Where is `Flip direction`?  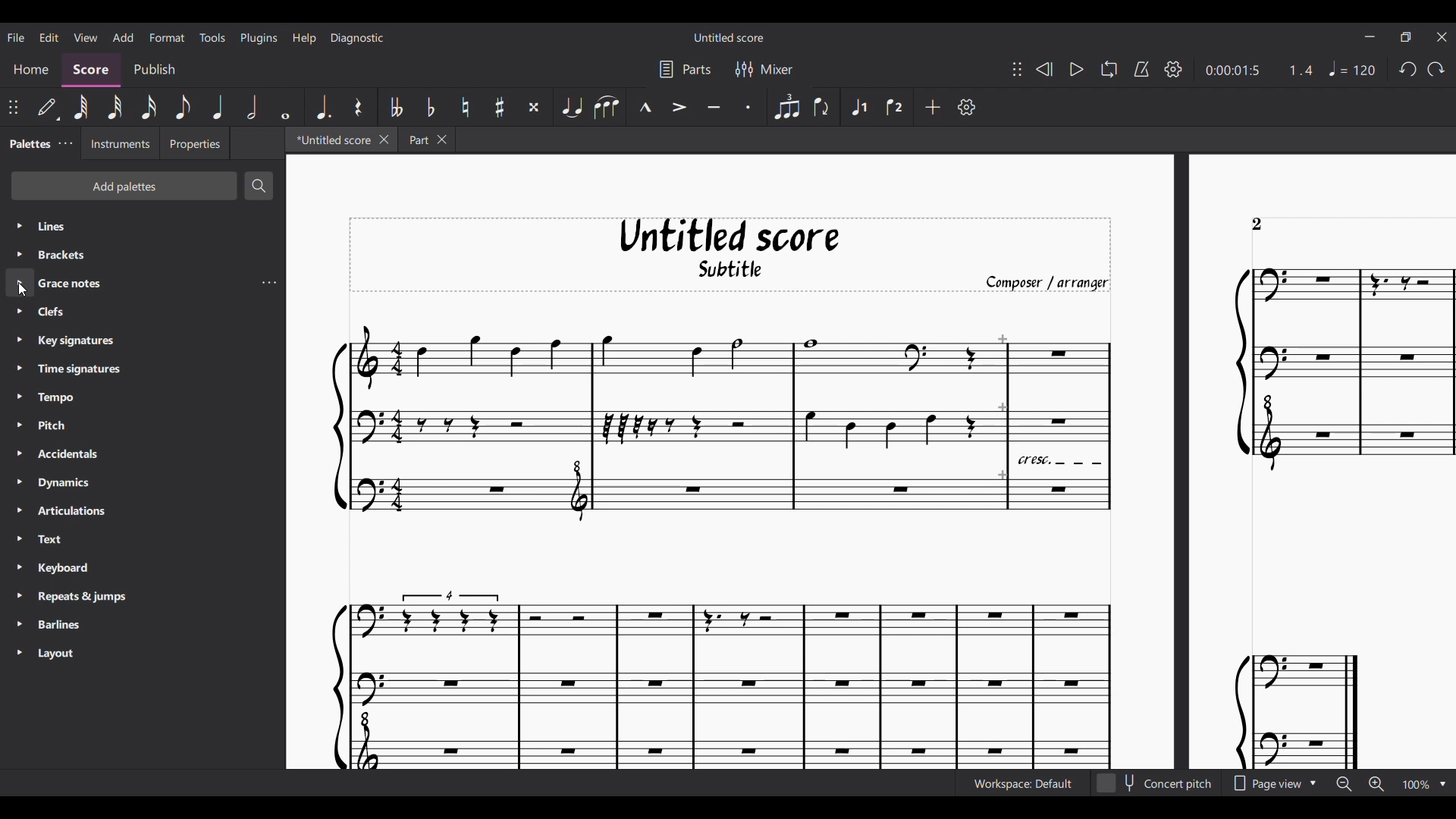
Flip direction is located at coordinates (822, 107).